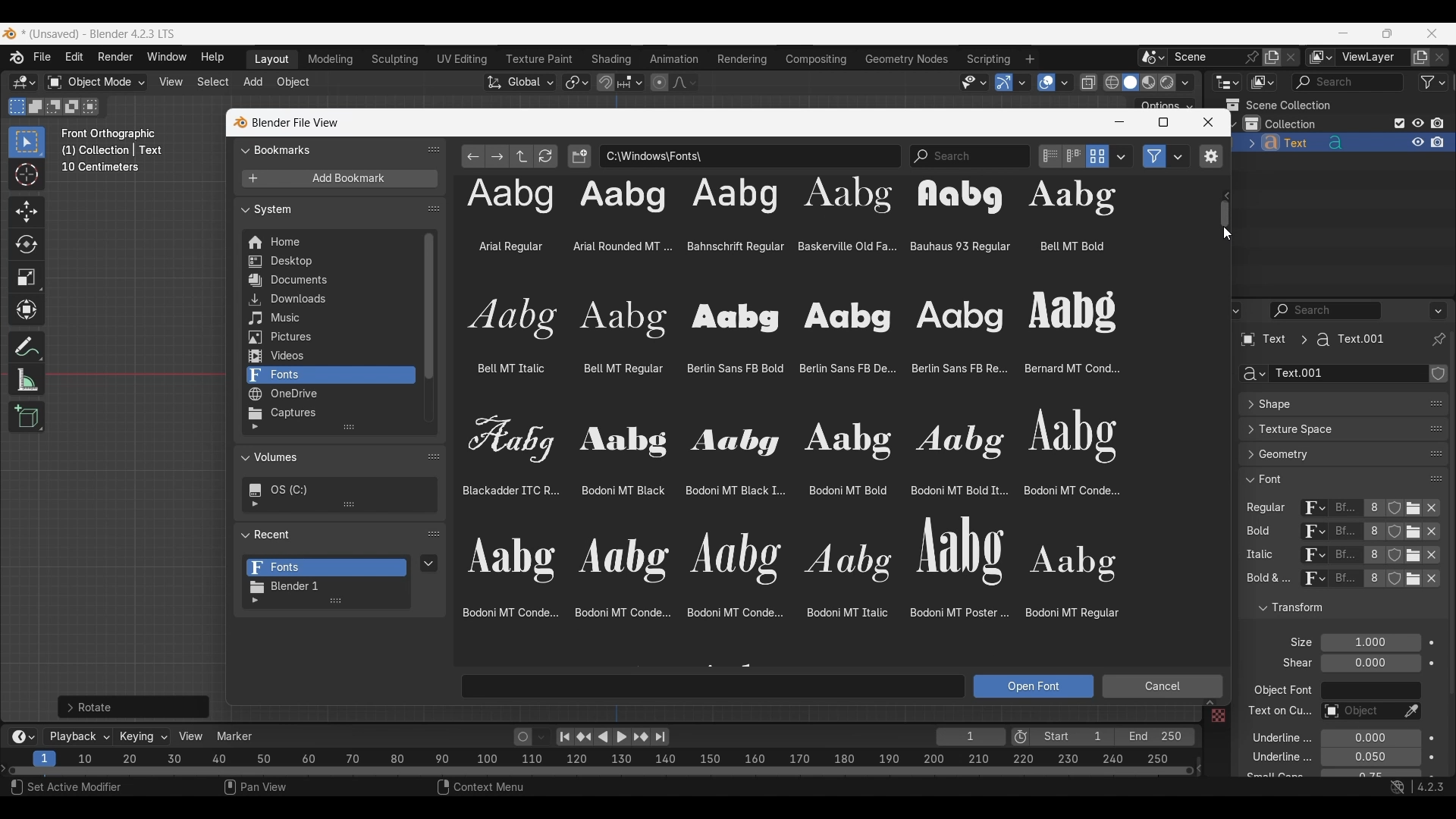 The height and width of the screenshot is (819, 1456). What do you see at coordinates (1278, 105) in the screenshot?
I see `Scene collection` at bounding box center [1278, 105].